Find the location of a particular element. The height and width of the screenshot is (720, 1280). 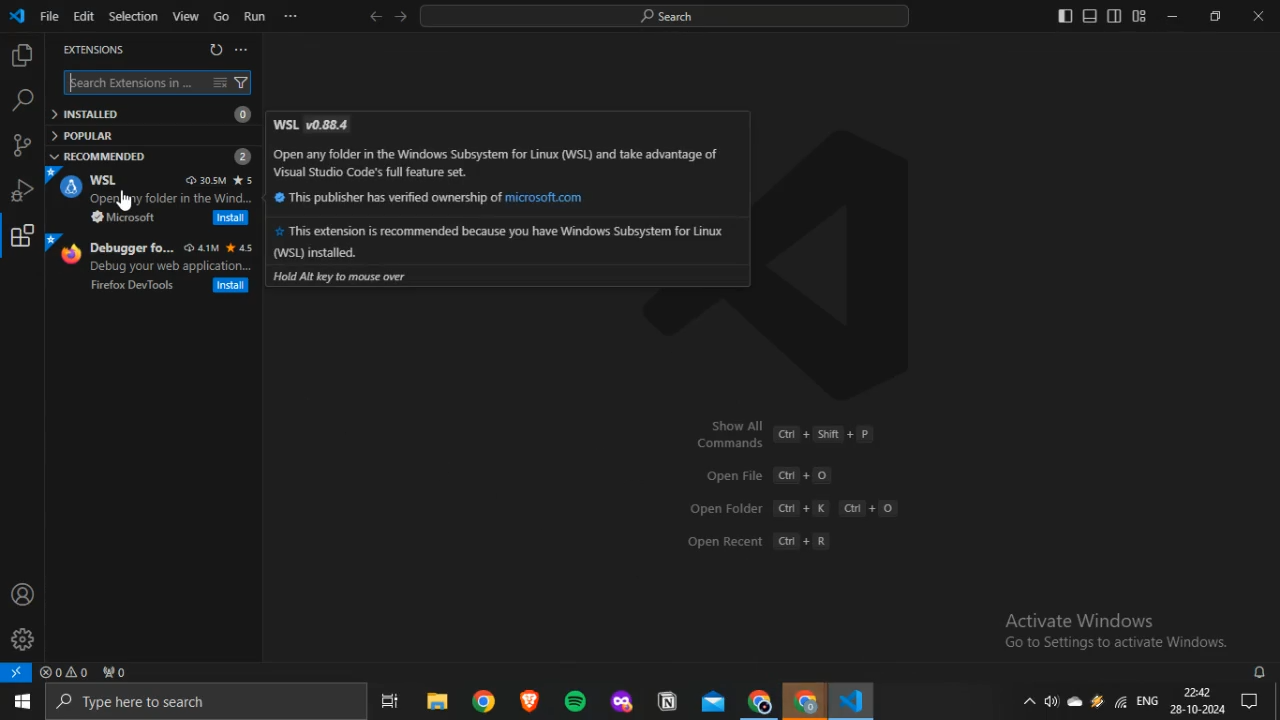

Google Chrome is located at coordinates (803, 700).